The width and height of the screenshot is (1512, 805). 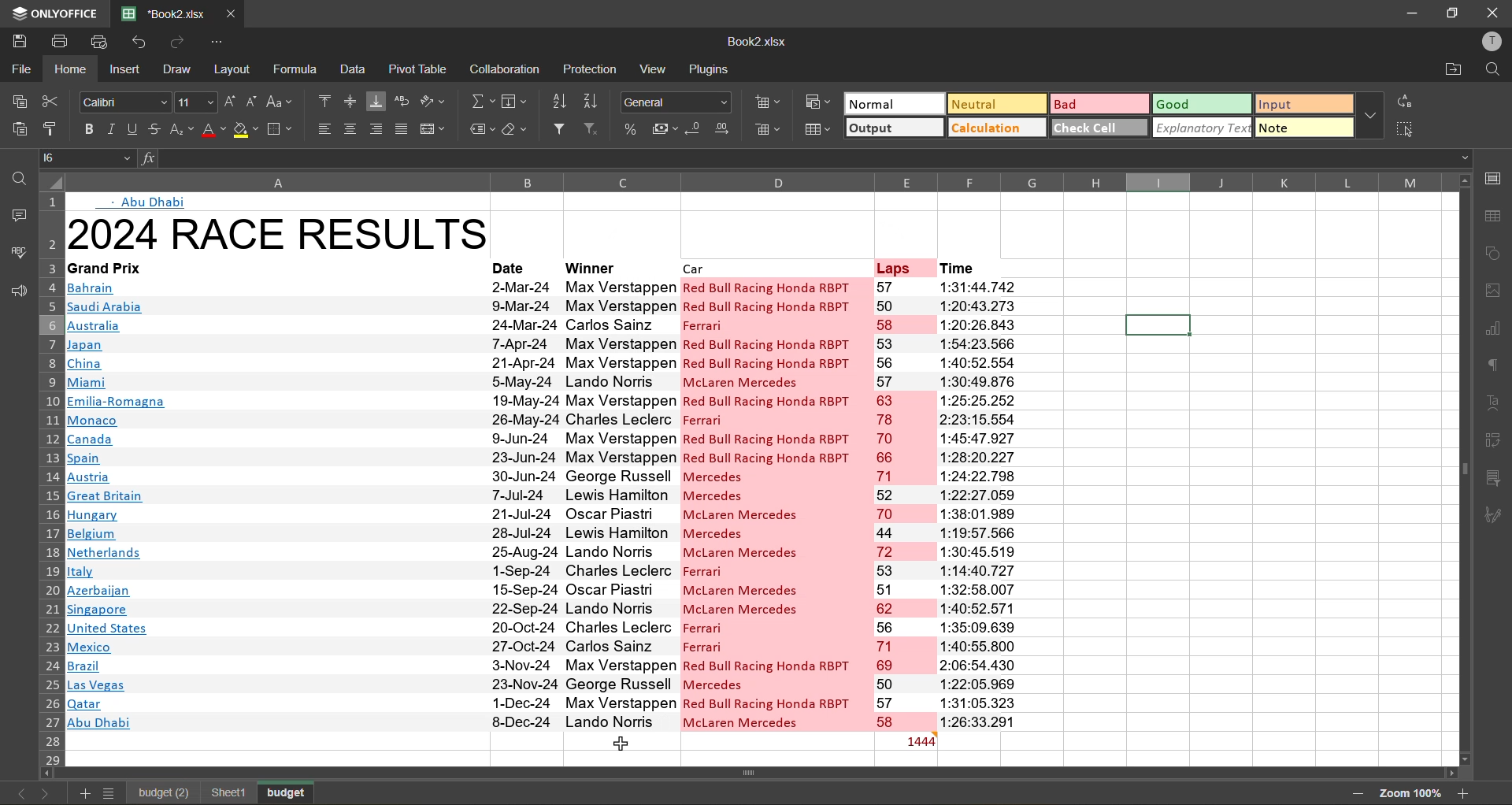 I want to click on previous, so click(x=16, y=793).